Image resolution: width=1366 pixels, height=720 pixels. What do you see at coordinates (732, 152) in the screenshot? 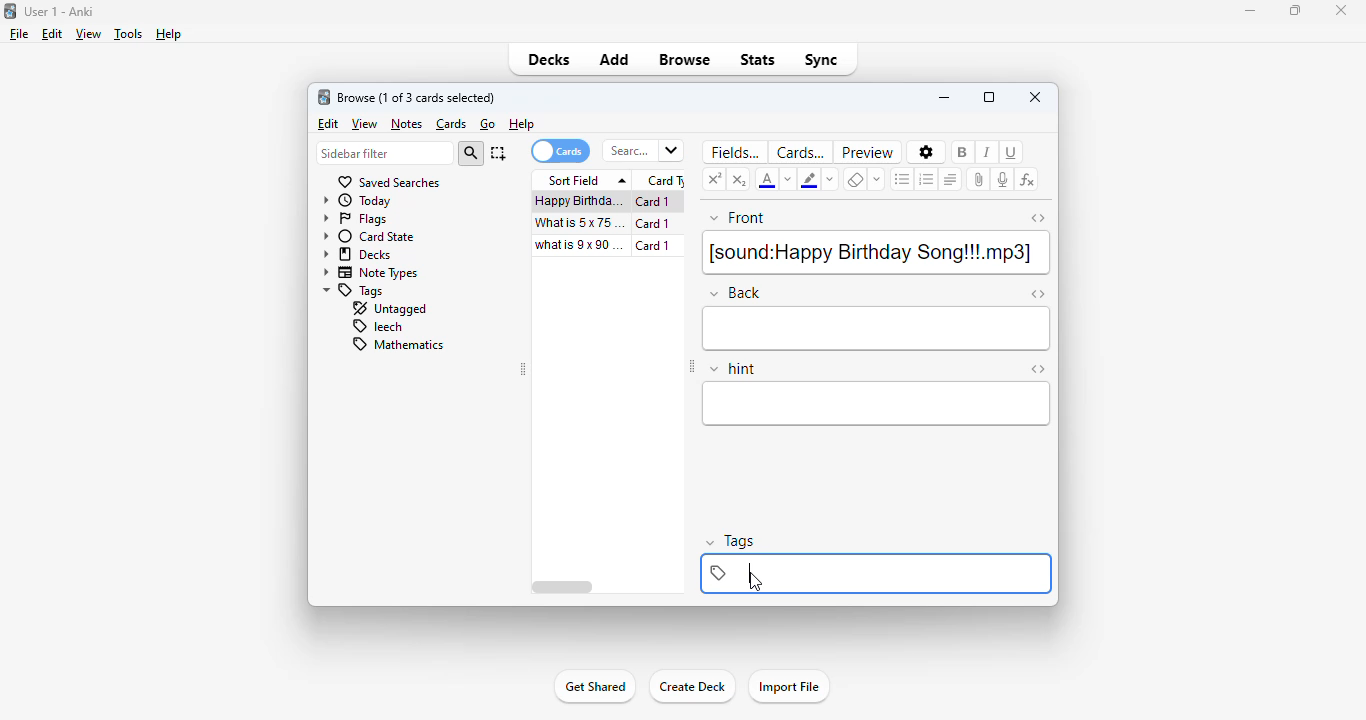
I see `fields` at bounding box center [732, 152].